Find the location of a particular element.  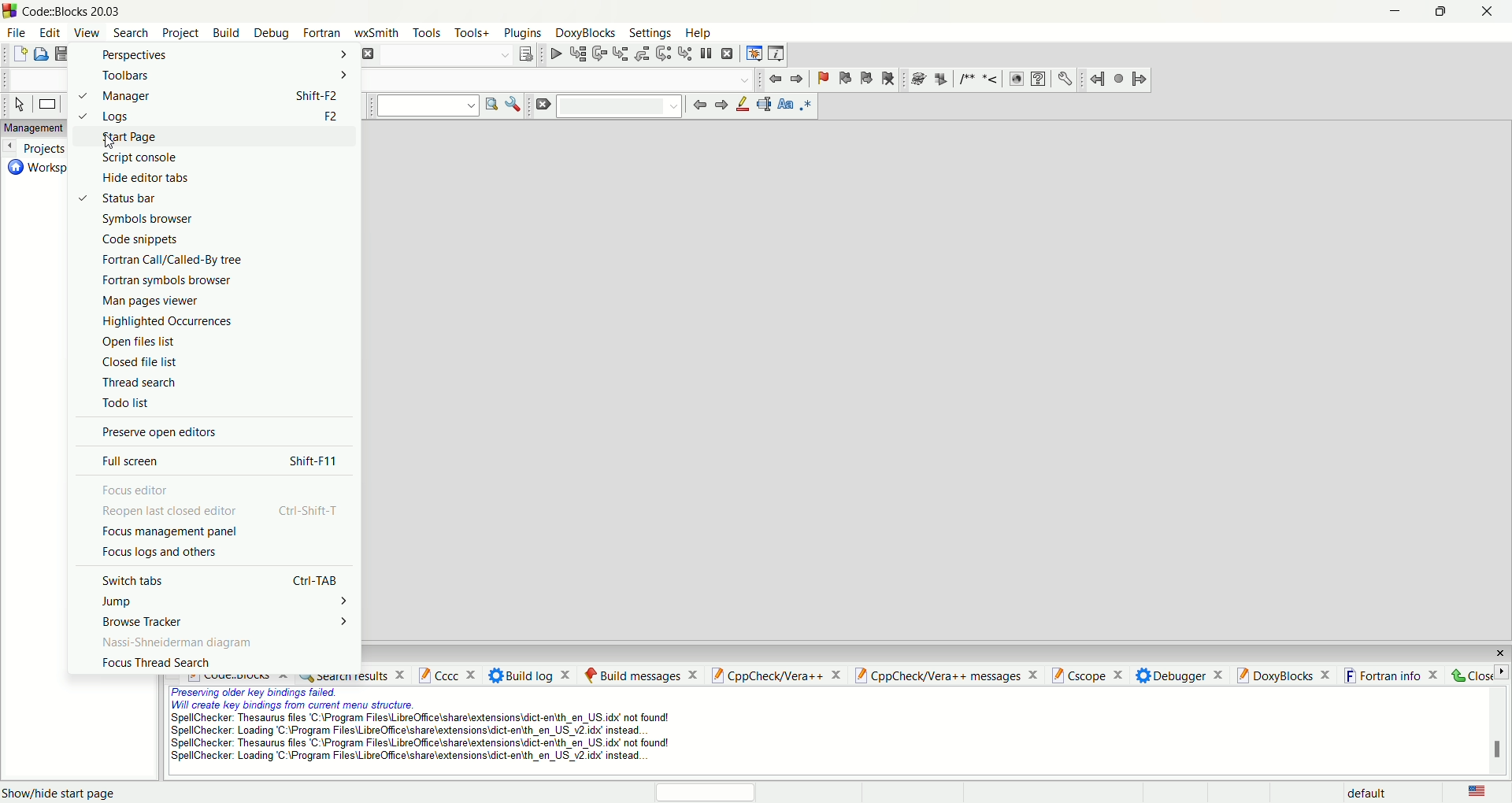

focus editor is located at coordinates (136, 491).